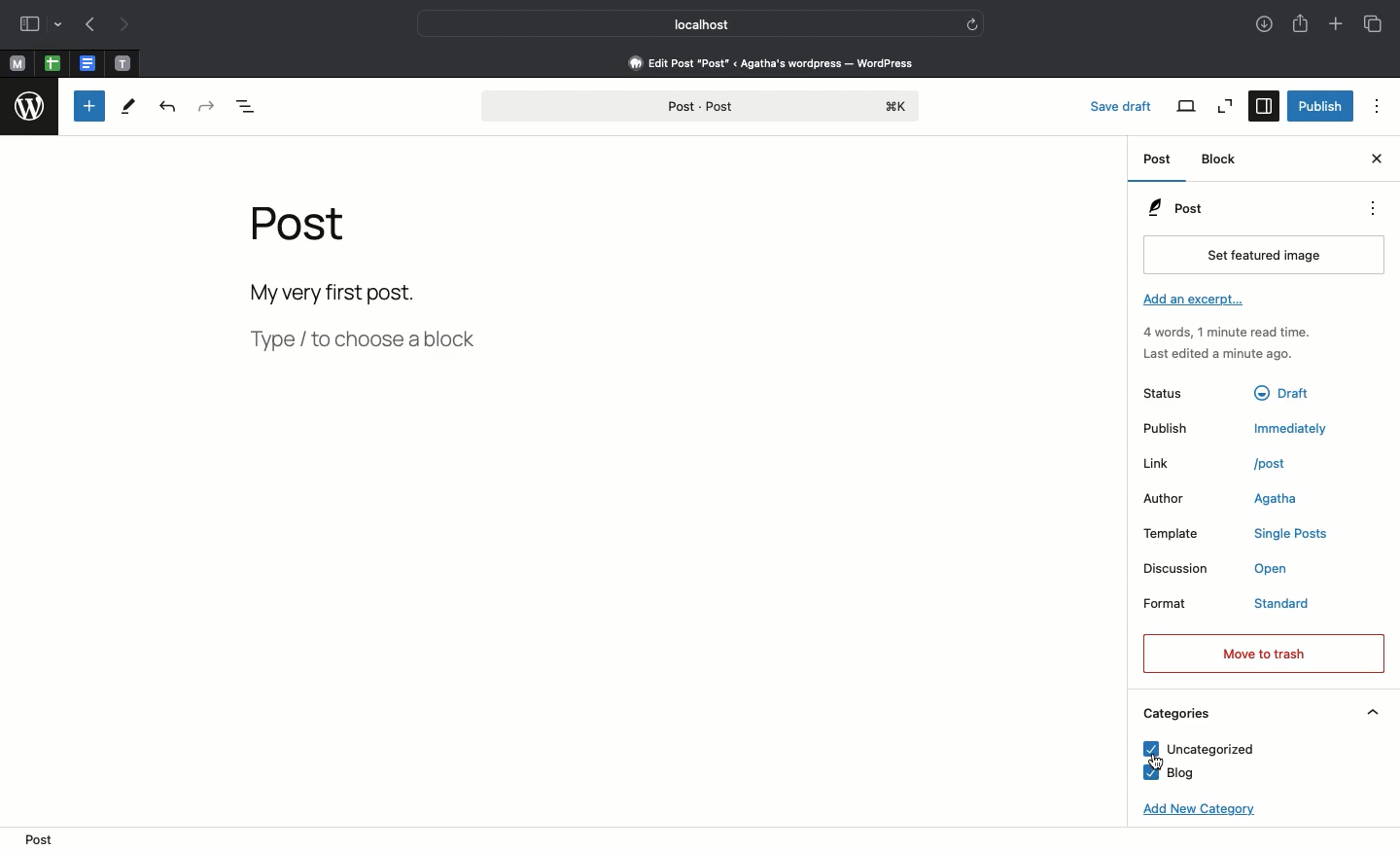 This screenshot has width=1400, height=850. What do you see at coordinates (1175, 464) in the screenshot?
I see `Link` at bounding box center [1175, 464].